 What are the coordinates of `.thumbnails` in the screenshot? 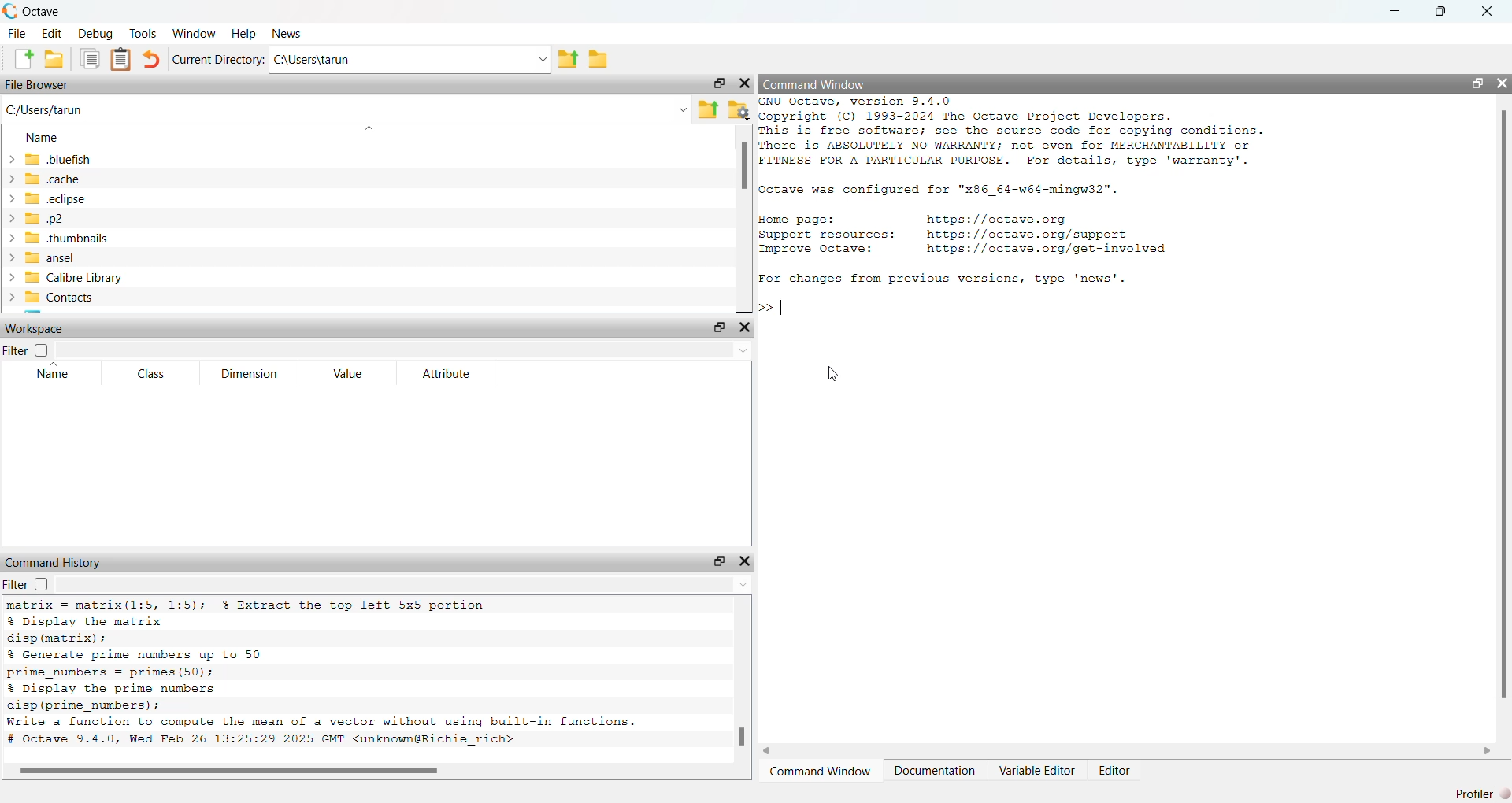 It's located at (68, 239).